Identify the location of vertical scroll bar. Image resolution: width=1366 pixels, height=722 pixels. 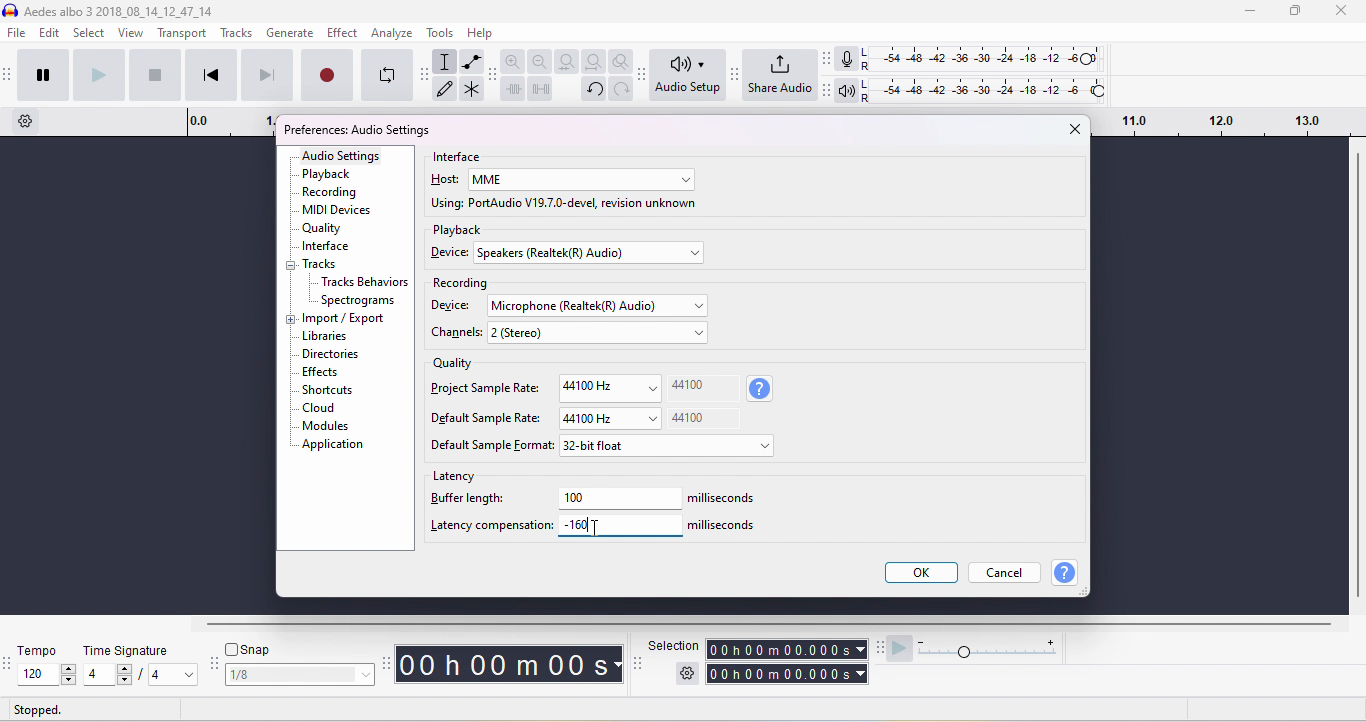
(1357, 378).